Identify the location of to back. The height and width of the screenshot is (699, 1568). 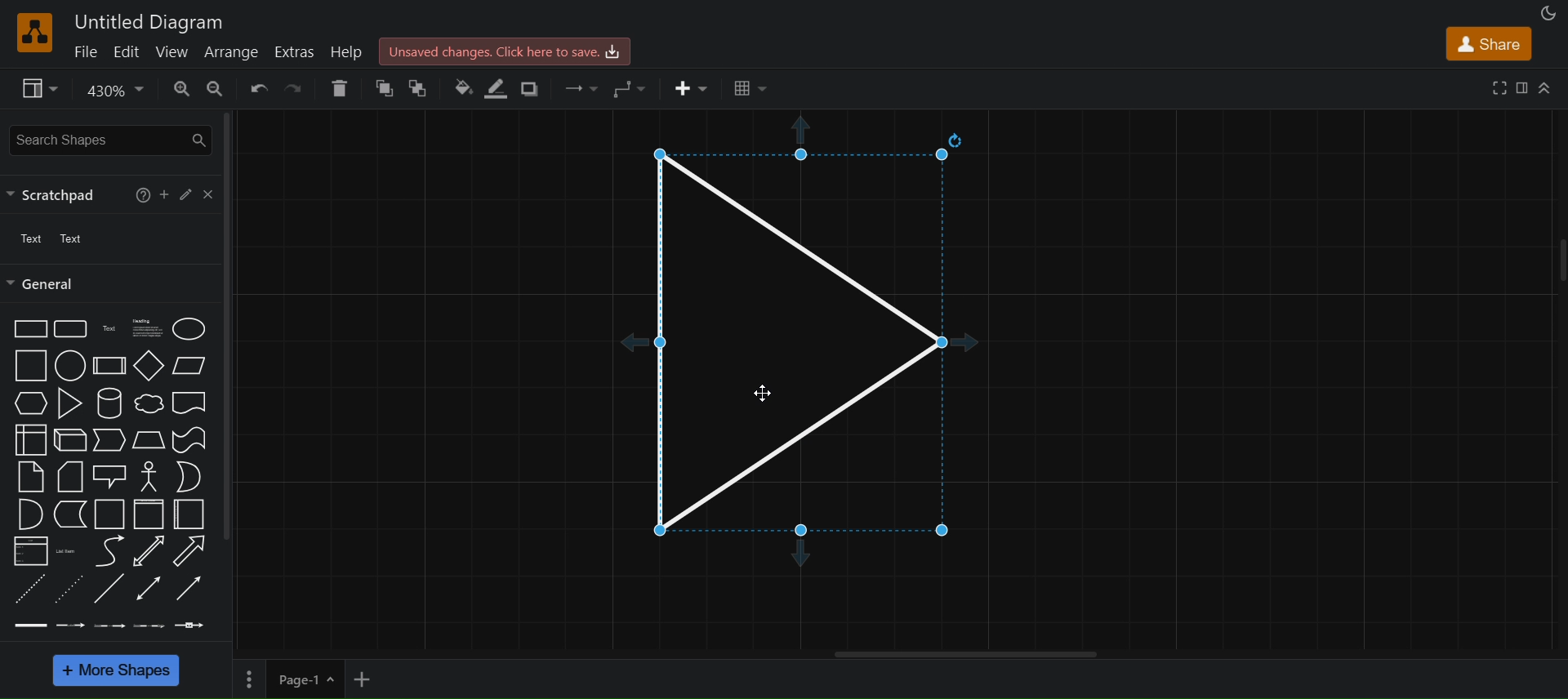
(420, 87).